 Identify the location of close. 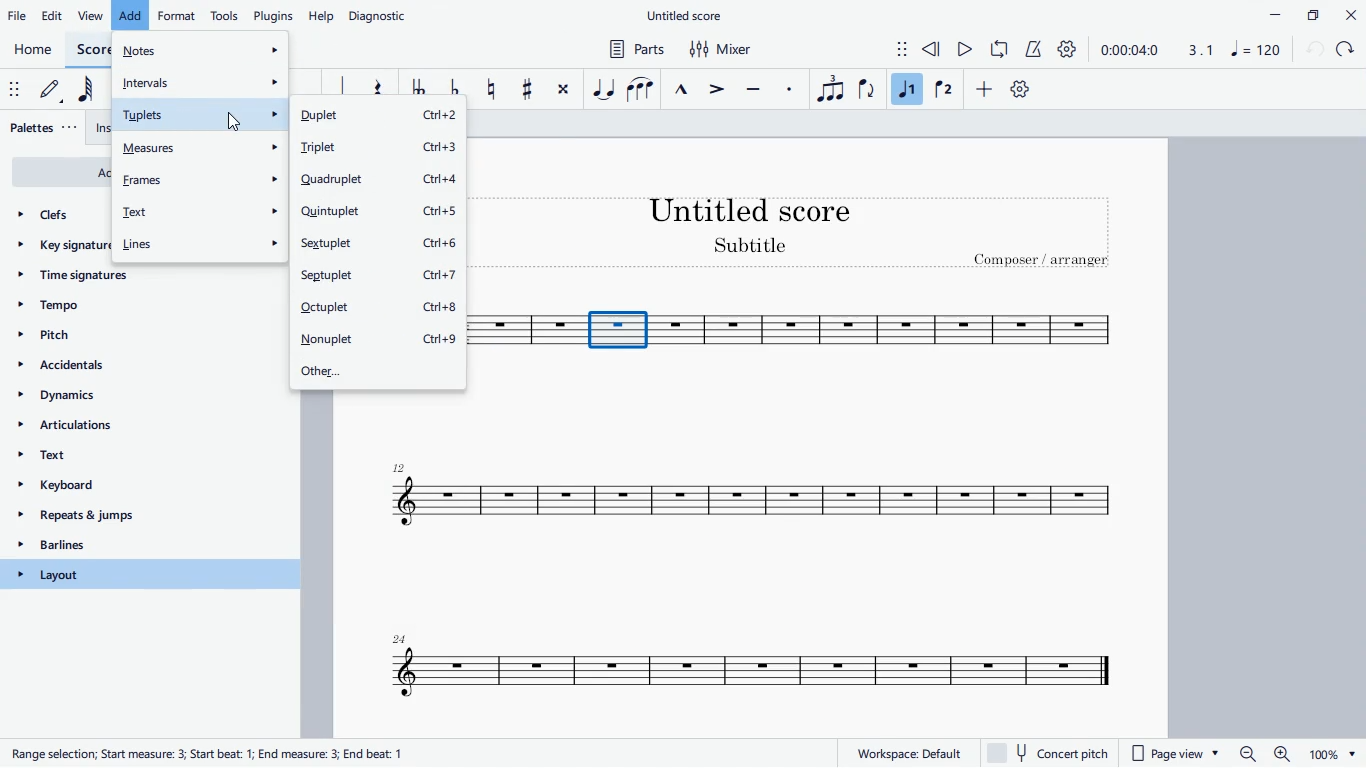
(1350, 14).